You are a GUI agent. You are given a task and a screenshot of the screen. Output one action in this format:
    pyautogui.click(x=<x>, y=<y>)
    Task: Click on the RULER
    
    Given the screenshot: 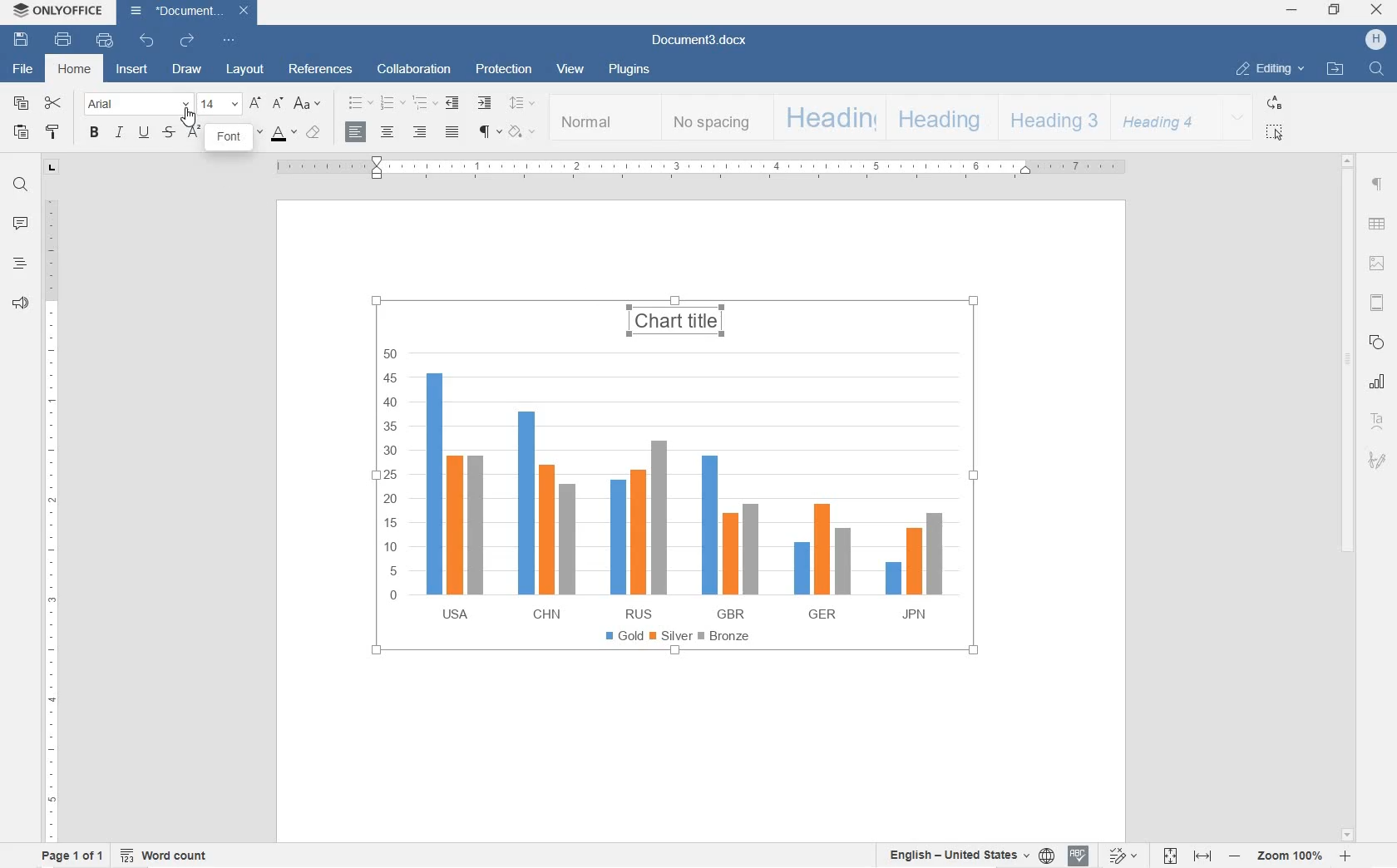 What is the action you would take?
    pyautogui.click(x=51, y=517)
    